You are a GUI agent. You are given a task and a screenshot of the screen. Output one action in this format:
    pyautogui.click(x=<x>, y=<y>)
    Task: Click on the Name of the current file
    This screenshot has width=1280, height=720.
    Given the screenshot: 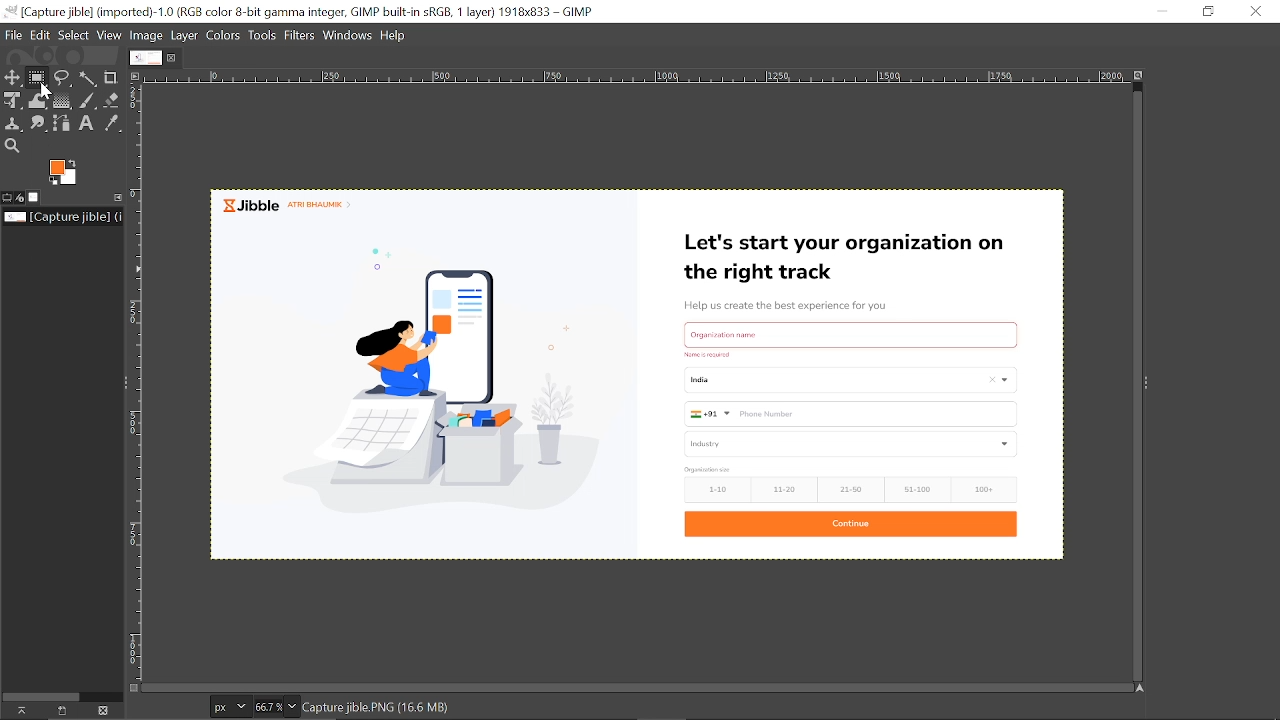 What is the action you would take?
    pyautogui.click(x=64, y=217)
    